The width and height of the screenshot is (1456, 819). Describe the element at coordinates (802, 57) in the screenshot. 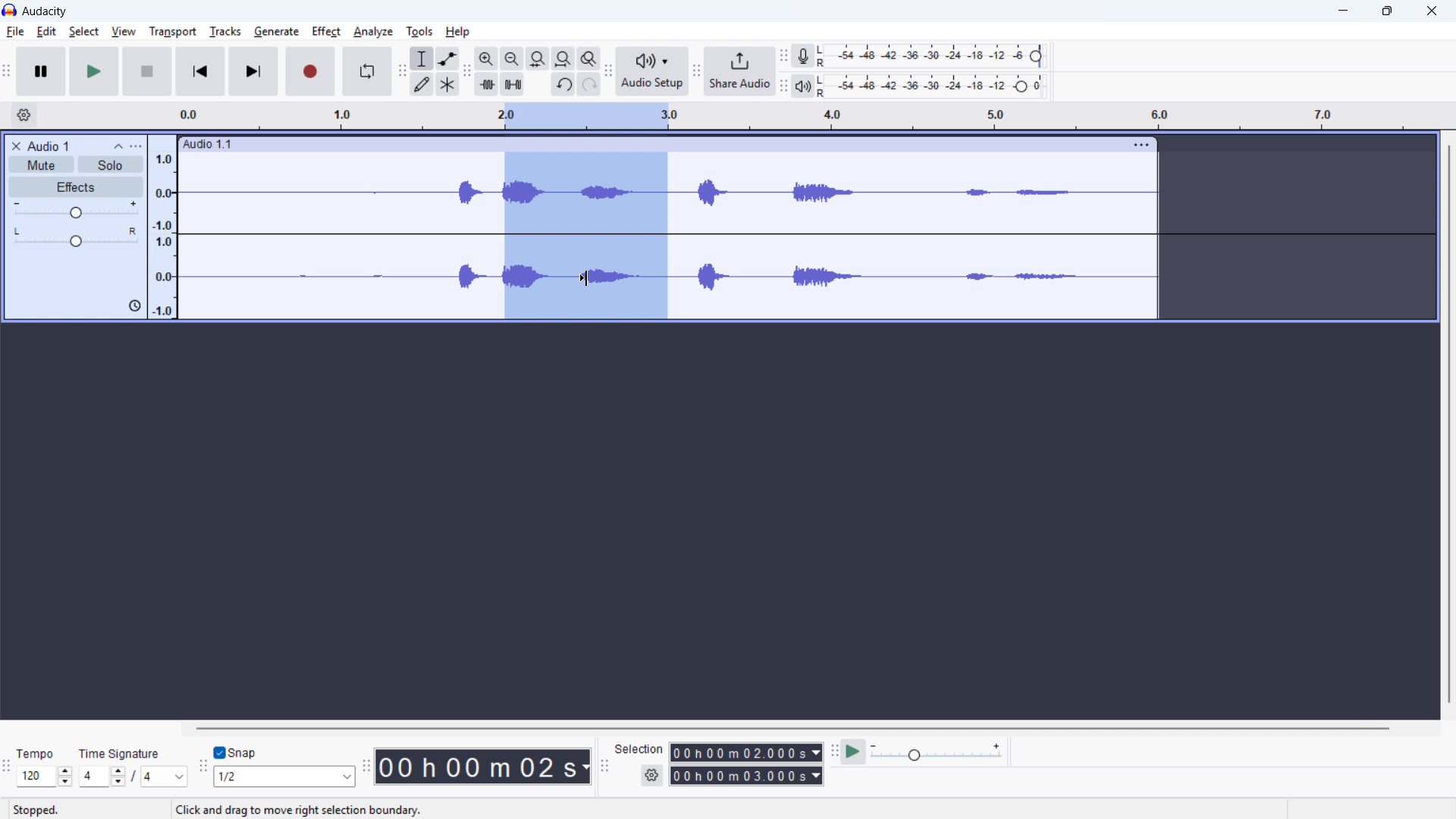

I see `Recording metre` at that location.